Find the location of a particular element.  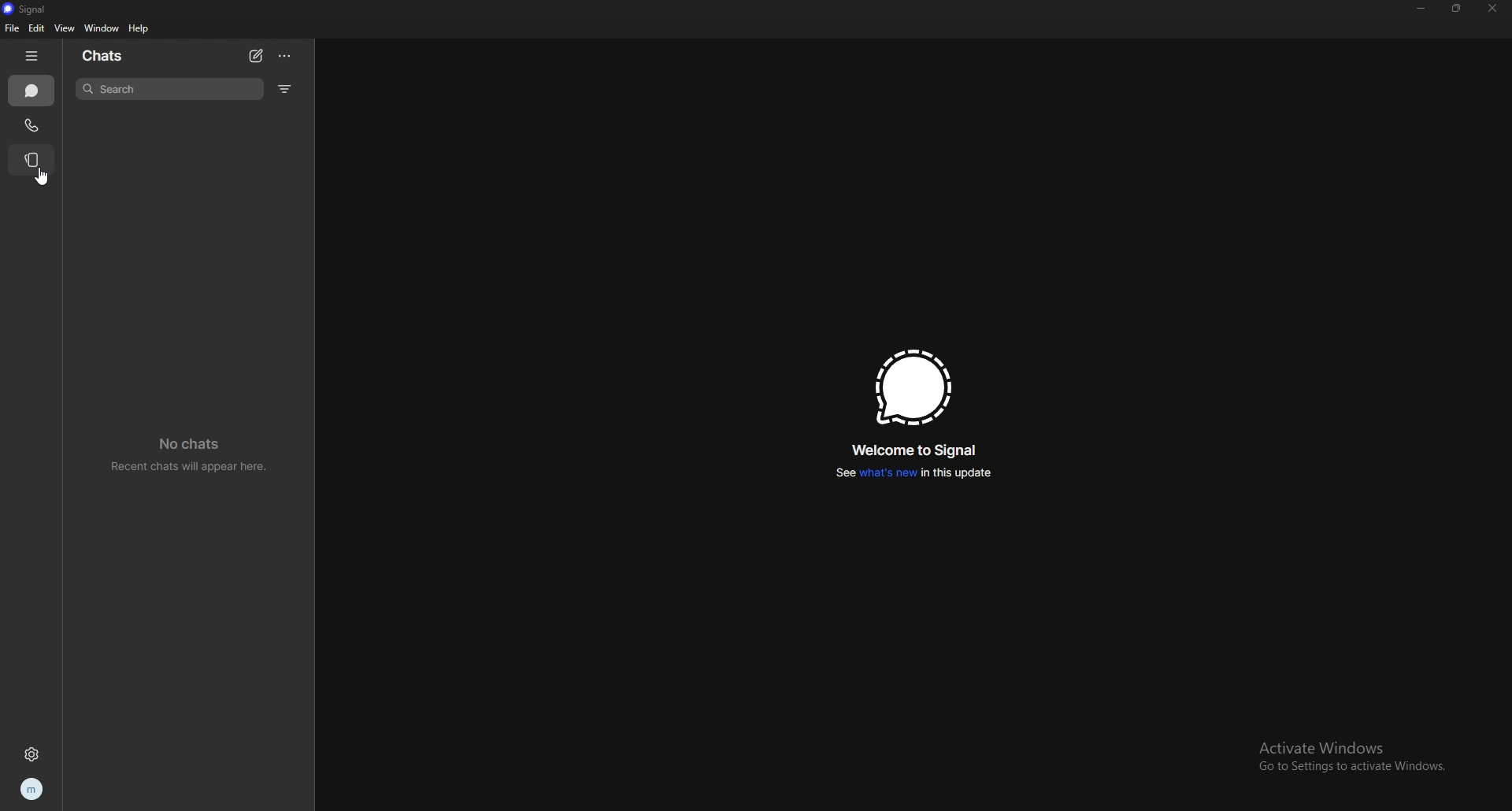

welcome to signal is located at coordinates (913, 449).